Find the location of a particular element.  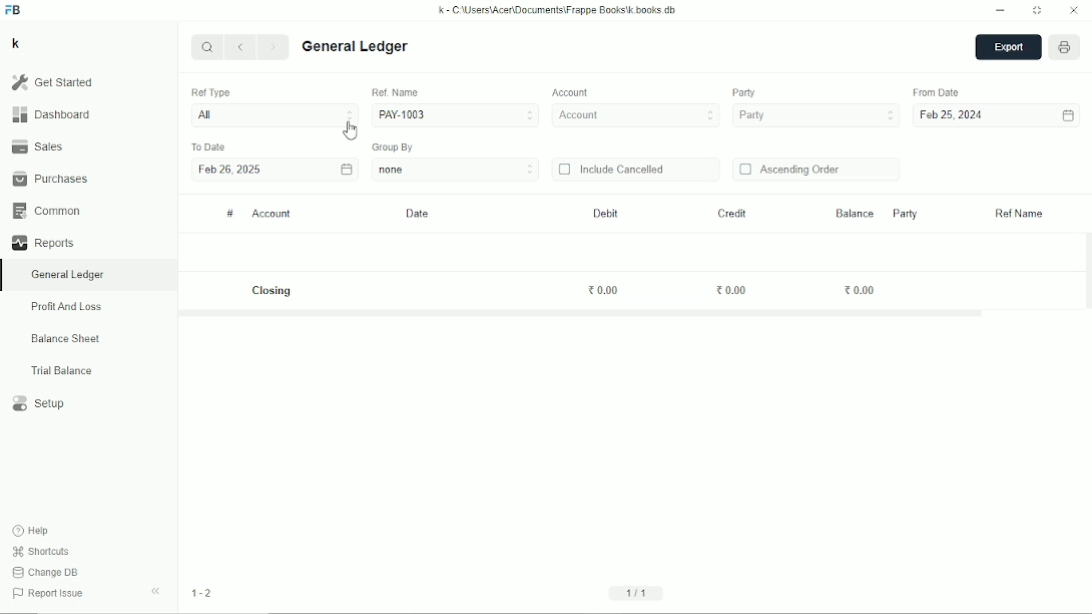

none is located at coordinates (456, 169).